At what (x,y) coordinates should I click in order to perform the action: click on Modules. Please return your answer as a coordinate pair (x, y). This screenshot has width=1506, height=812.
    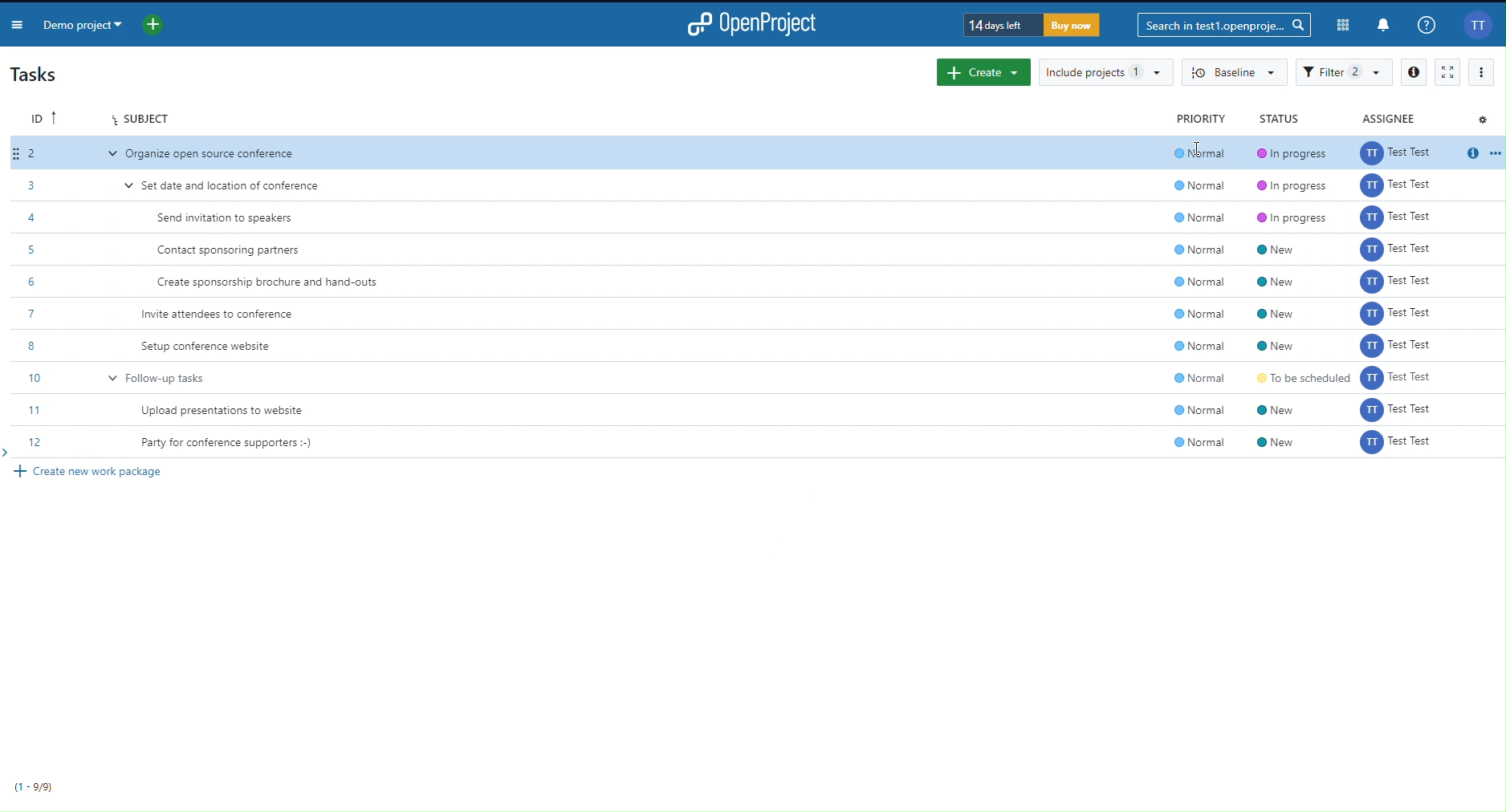
    Looking at the image, I should click on (1344, 26).